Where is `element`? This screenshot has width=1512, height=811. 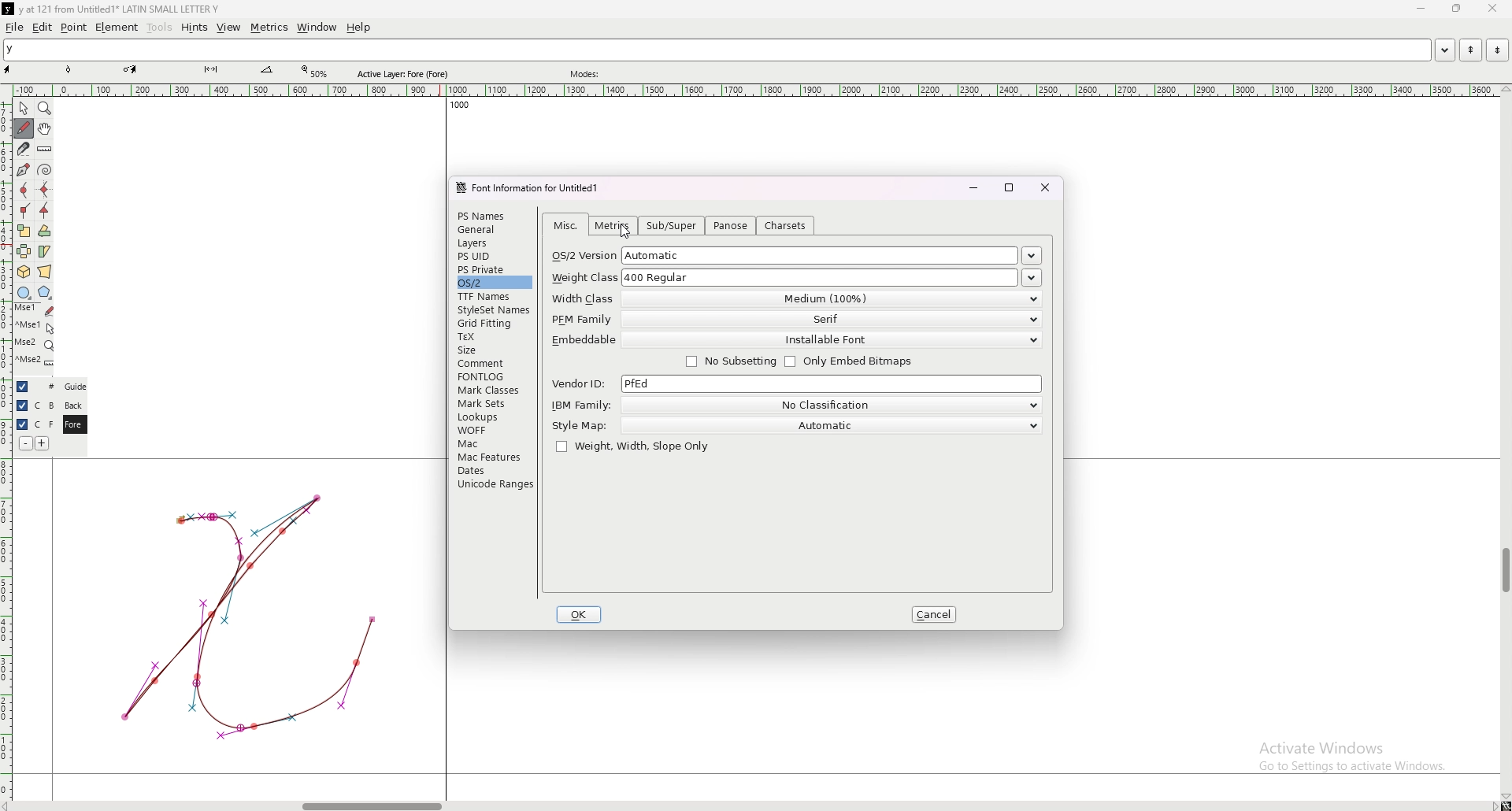
element is located at coordinates (117, 27).